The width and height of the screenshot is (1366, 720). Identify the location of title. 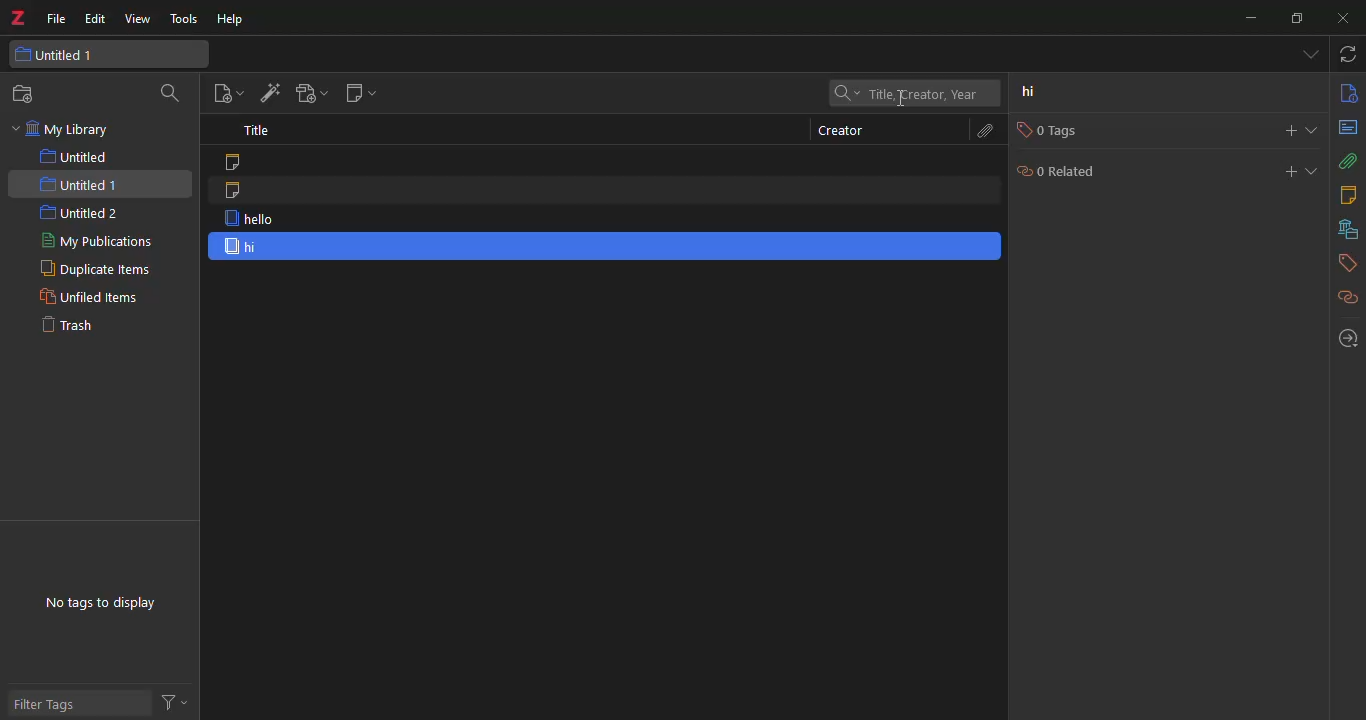
(258, 132).